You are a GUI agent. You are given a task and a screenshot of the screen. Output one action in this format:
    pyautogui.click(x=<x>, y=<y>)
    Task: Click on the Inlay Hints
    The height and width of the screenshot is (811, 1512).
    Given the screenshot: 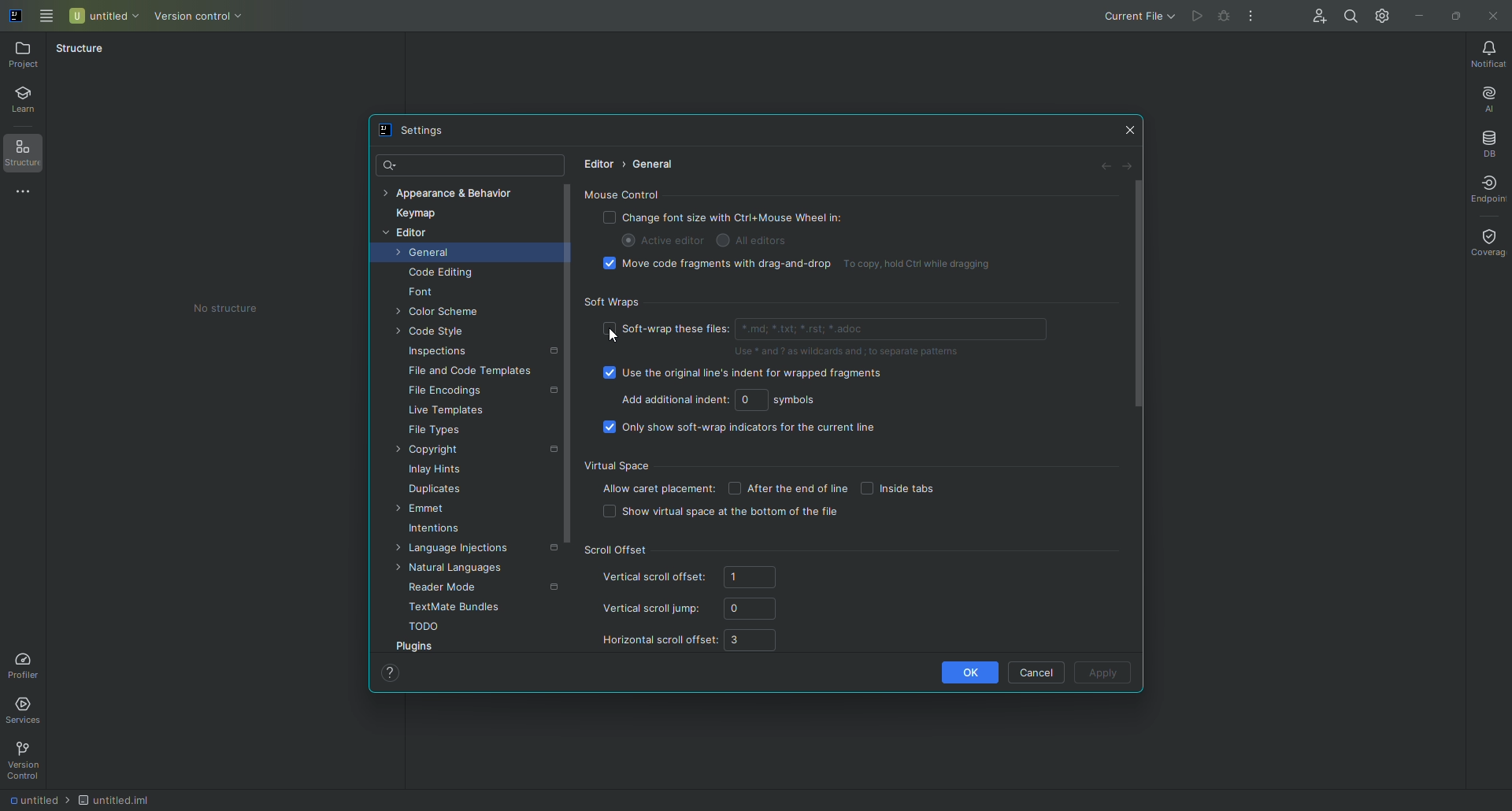 What is the action you would take?
    pyautogui.click(x=436, y=469)
    